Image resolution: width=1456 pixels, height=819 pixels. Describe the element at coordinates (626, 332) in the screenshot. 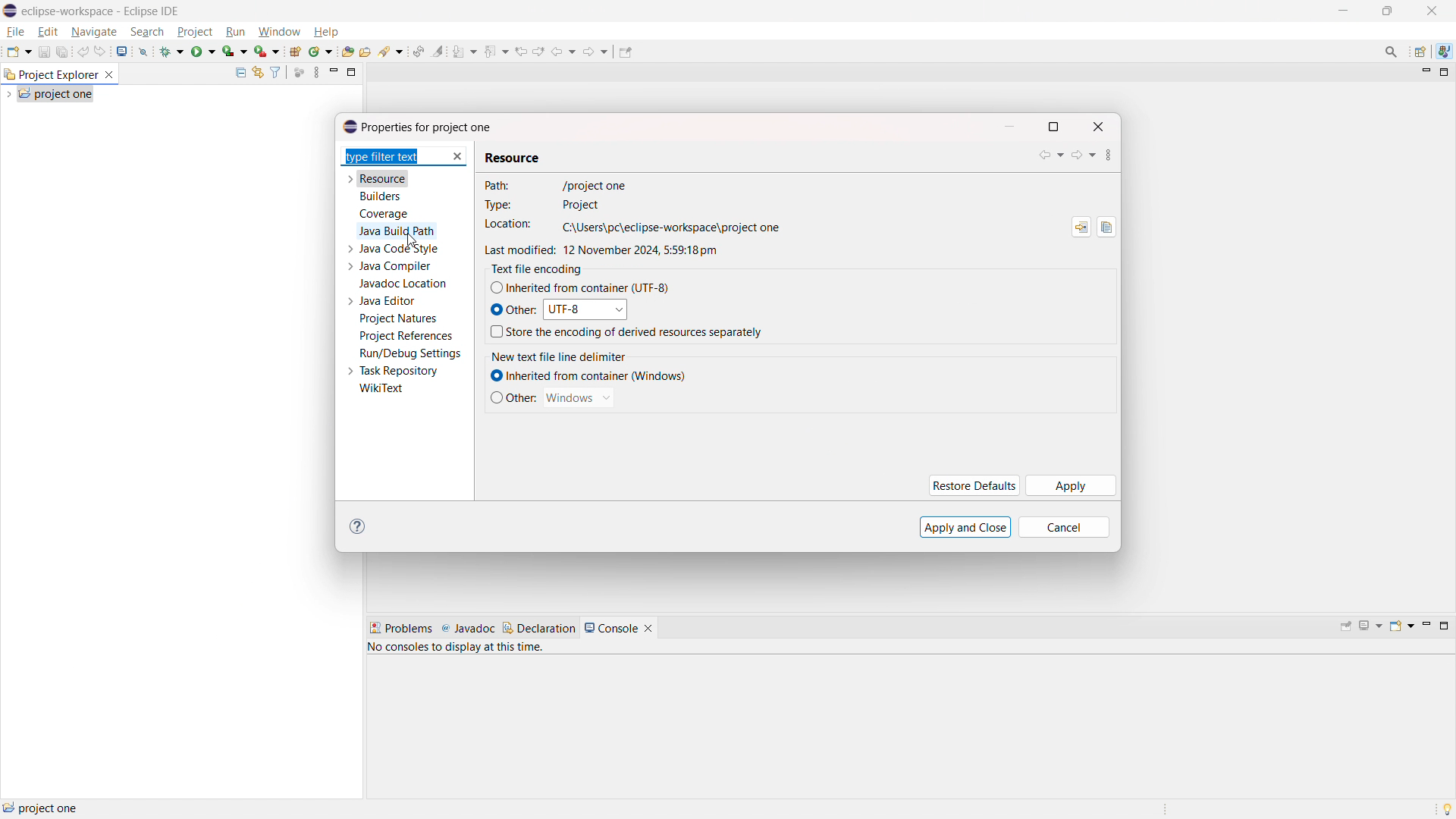

I see `store the encoding of derived resources separately` at that location.